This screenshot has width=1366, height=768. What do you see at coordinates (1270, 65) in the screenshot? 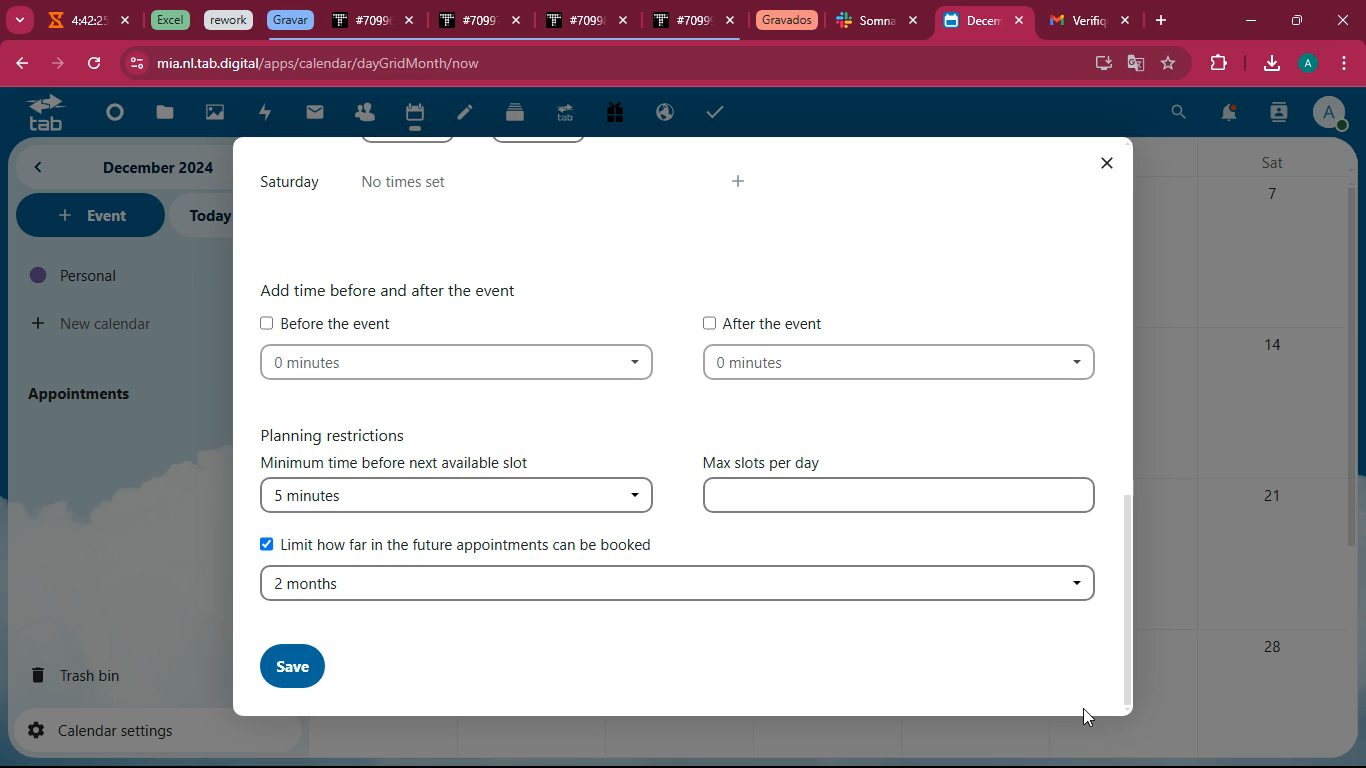
I see `download` at bounding box center [1270, 65].